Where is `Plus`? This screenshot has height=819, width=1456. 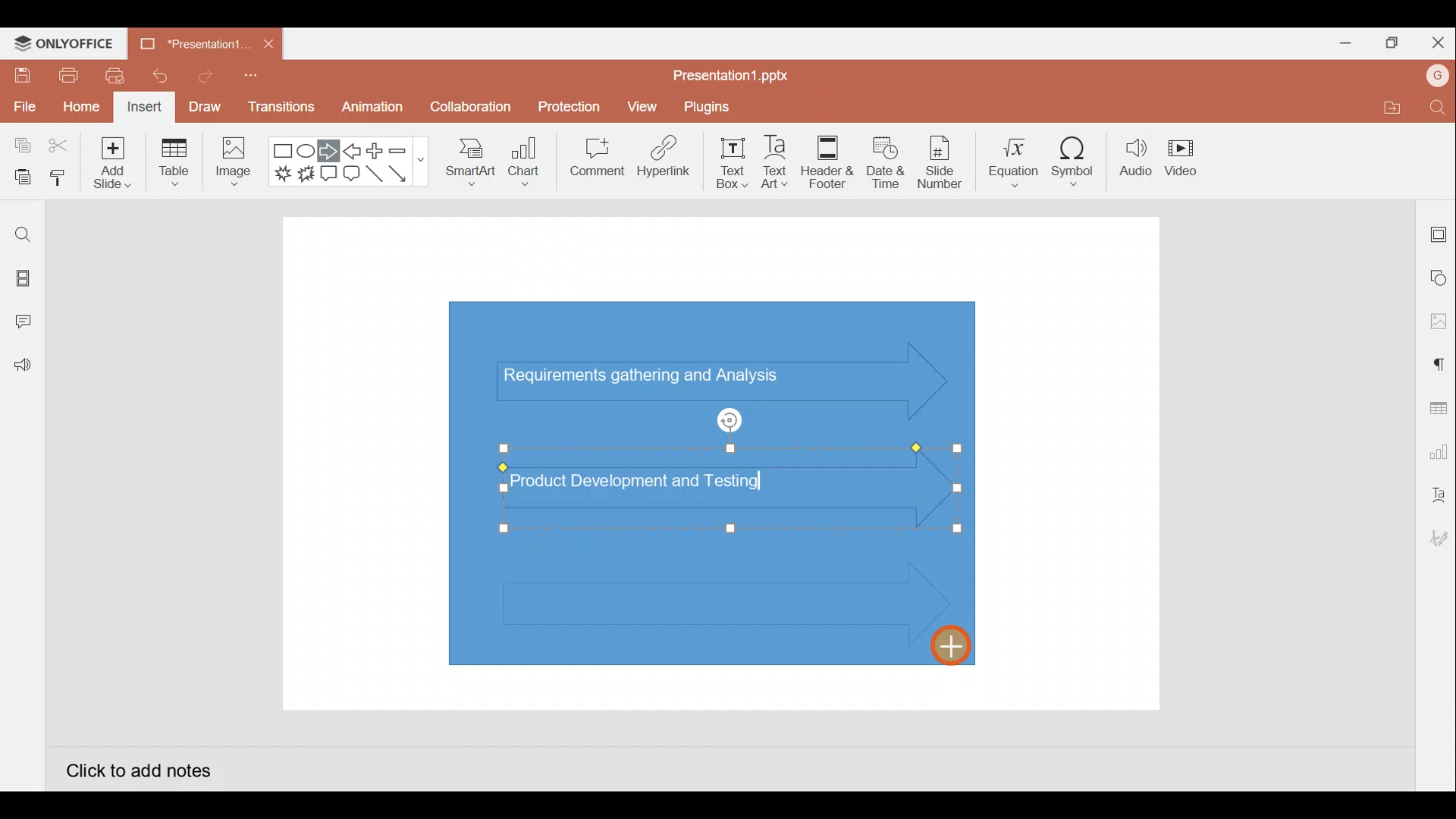
Plus is located at coordinates (378, 151).